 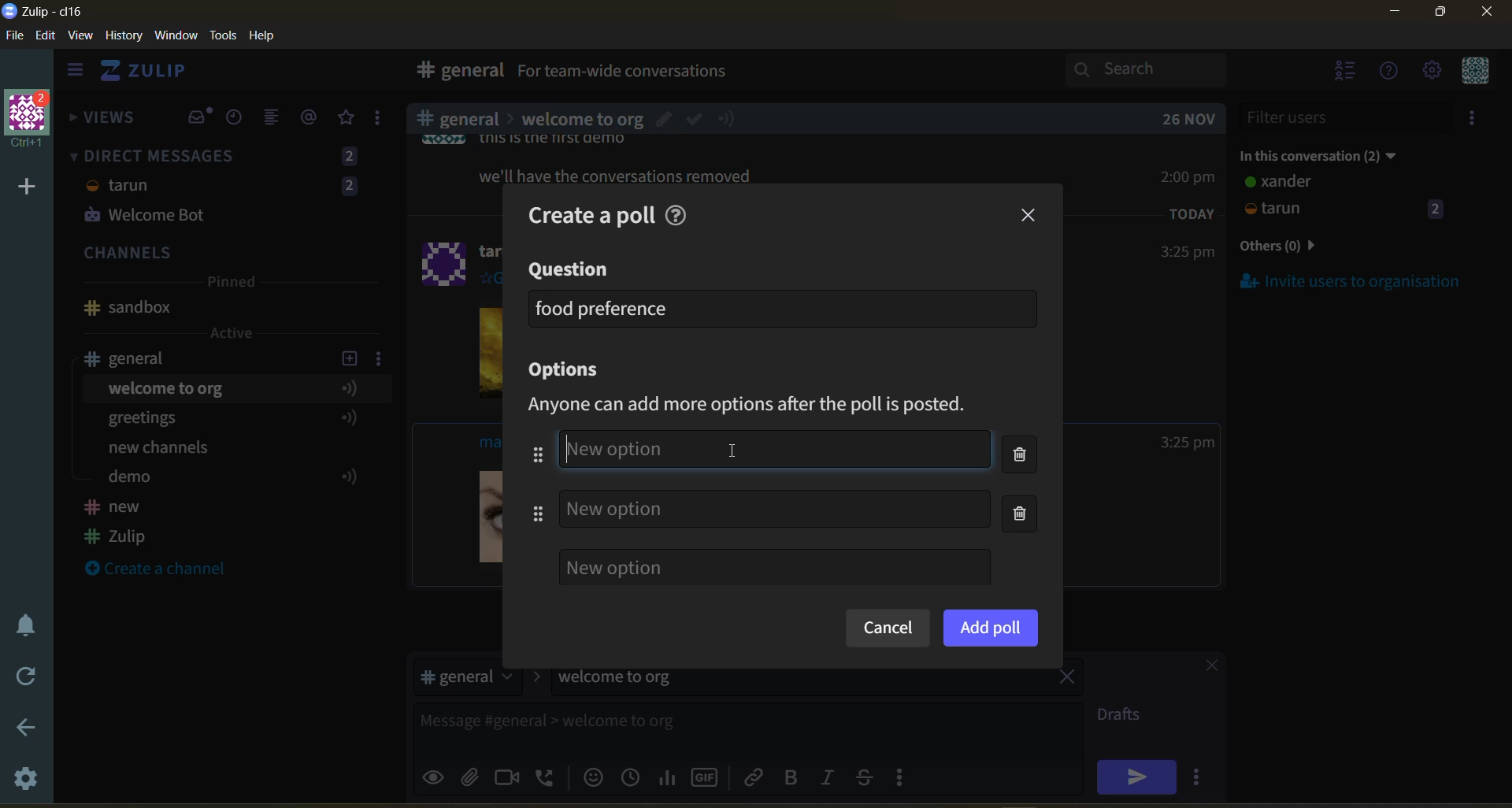 What do you see at coordinates (618, 447) in the screenshot?
I see `` at bounding box center [618, 447].